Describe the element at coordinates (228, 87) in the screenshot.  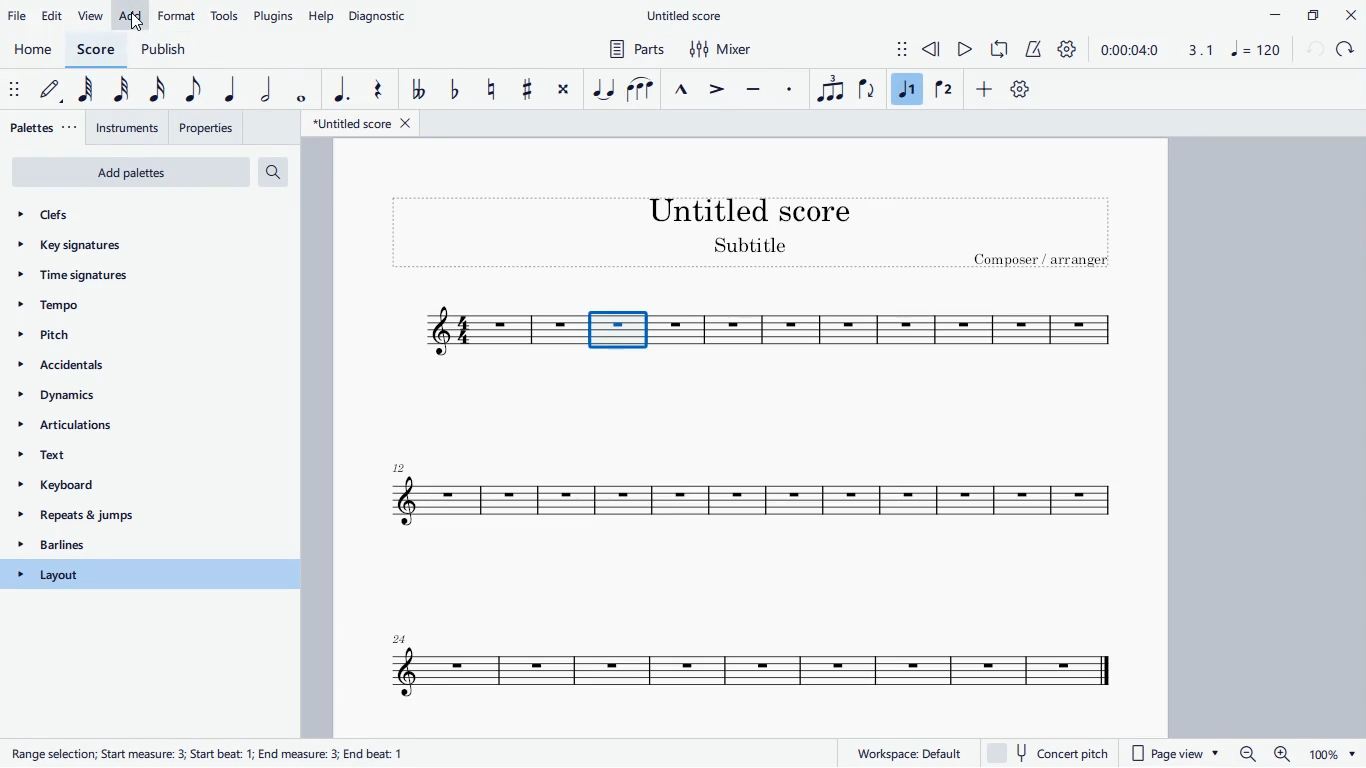
I see `quarter note` at that location.